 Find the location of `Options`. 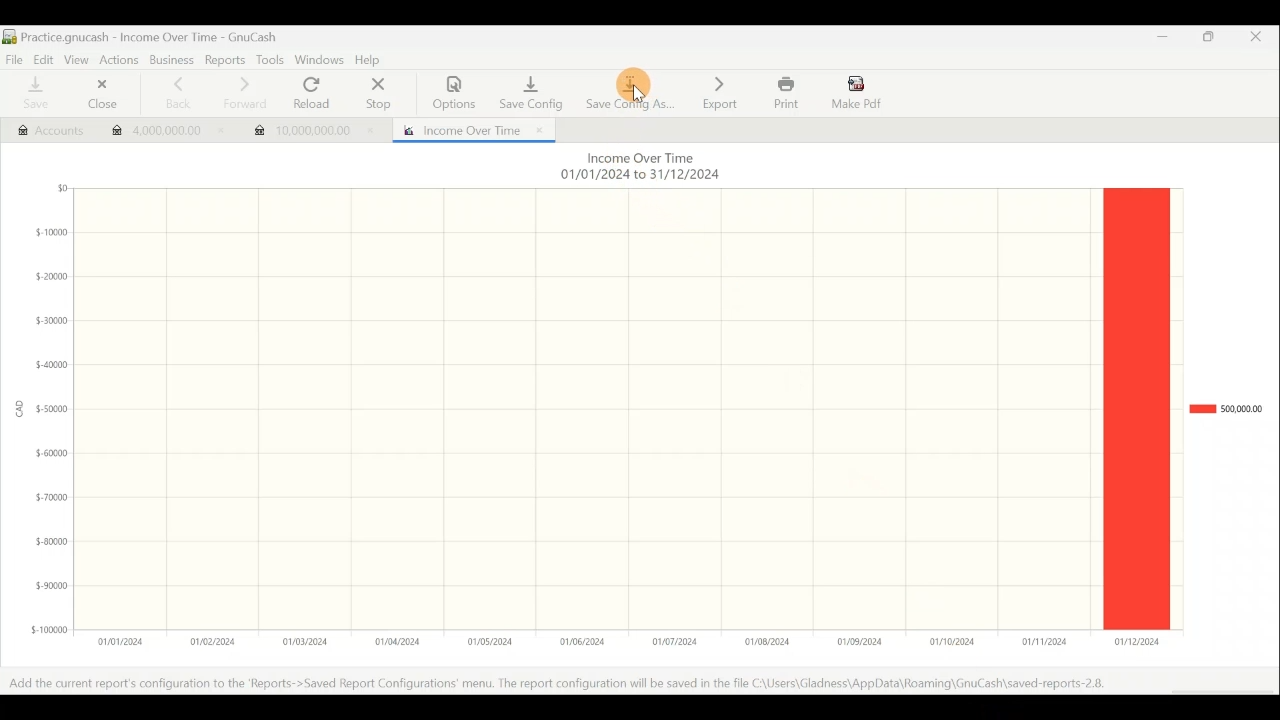

Options is located at coordinates (455, 93).